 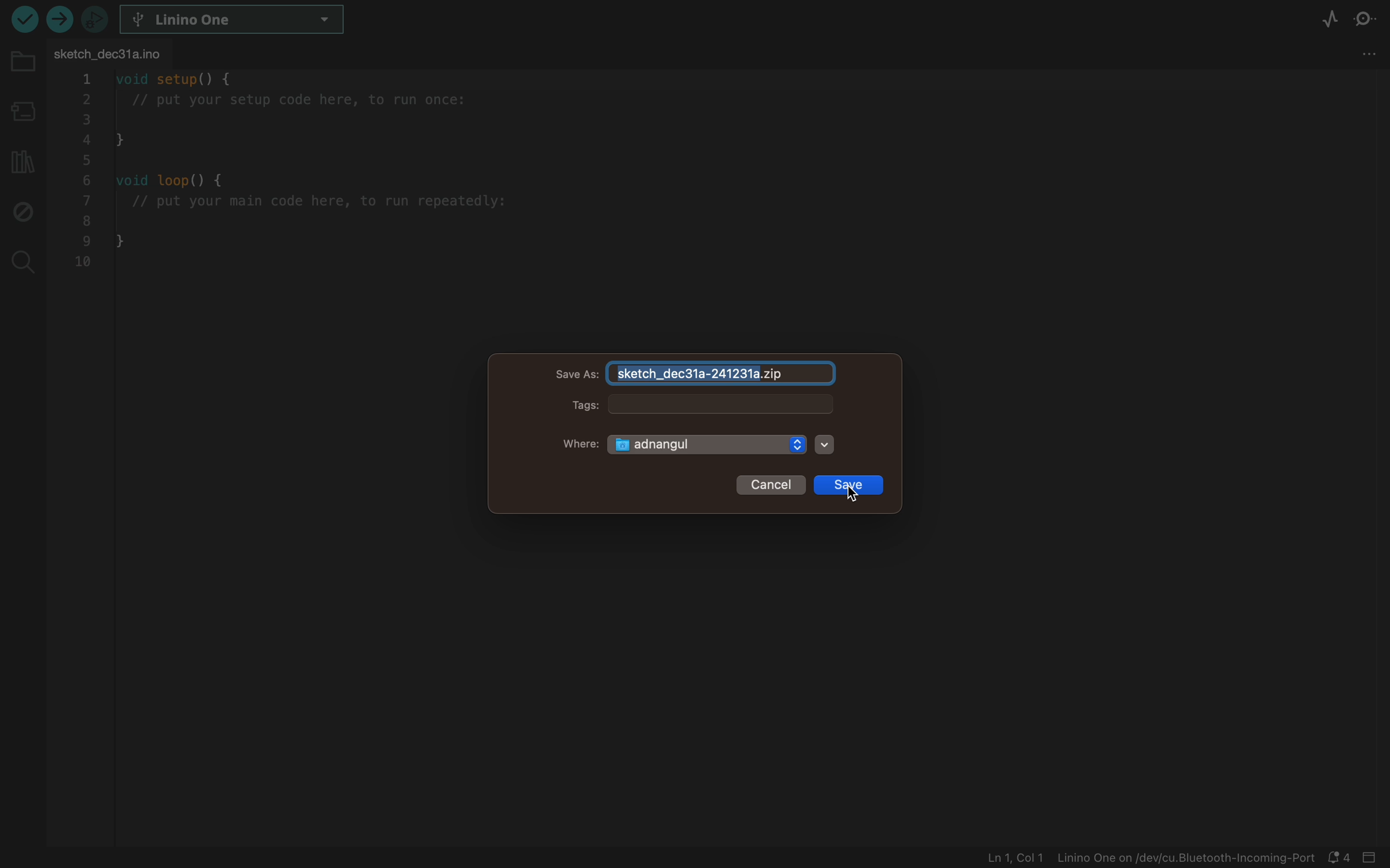 I want to click on More Menu, so click(x=1369, y=60).